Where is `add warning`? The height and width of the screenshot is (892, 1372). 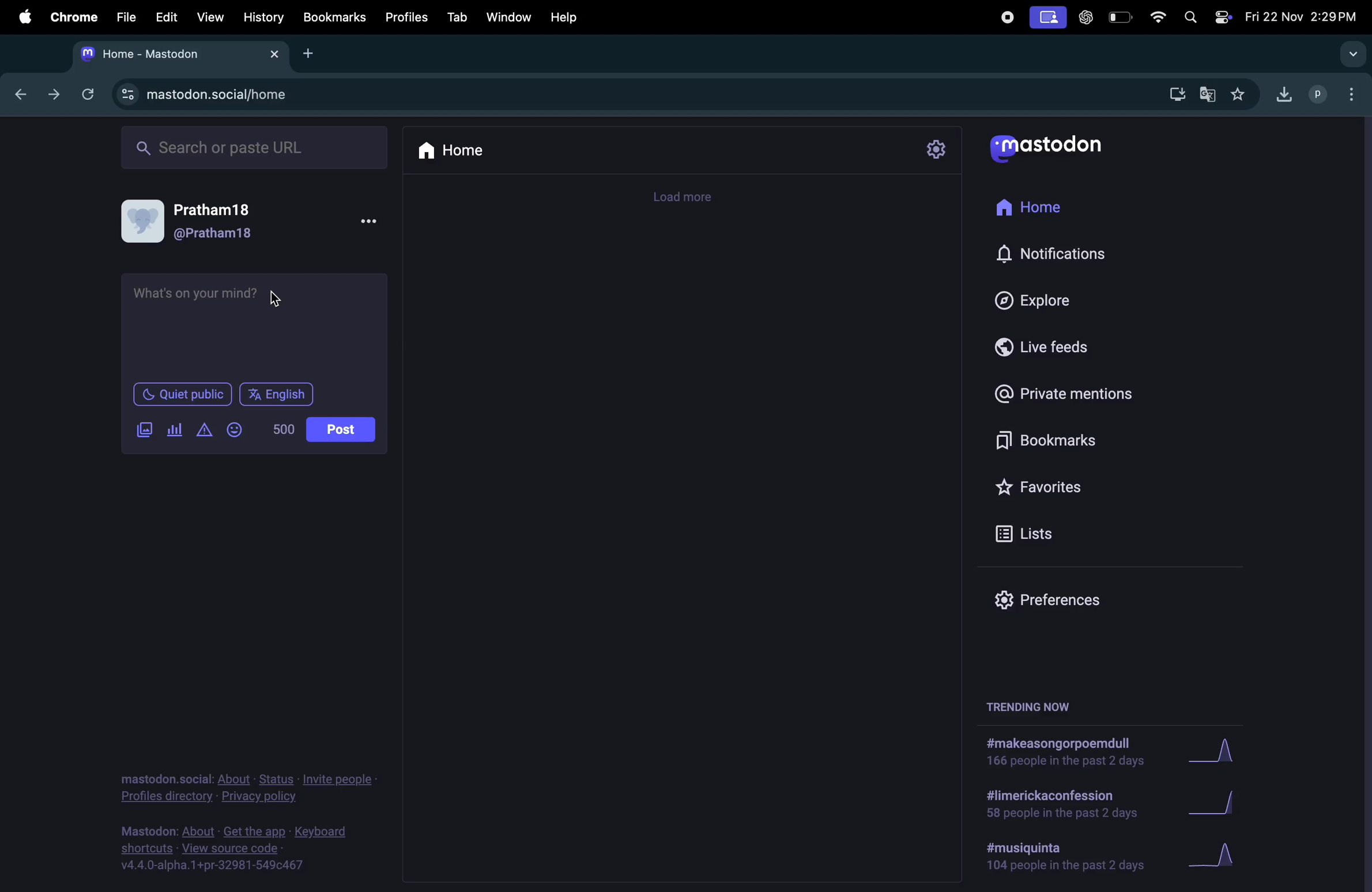 add warning is located at coordinates (202, 429).